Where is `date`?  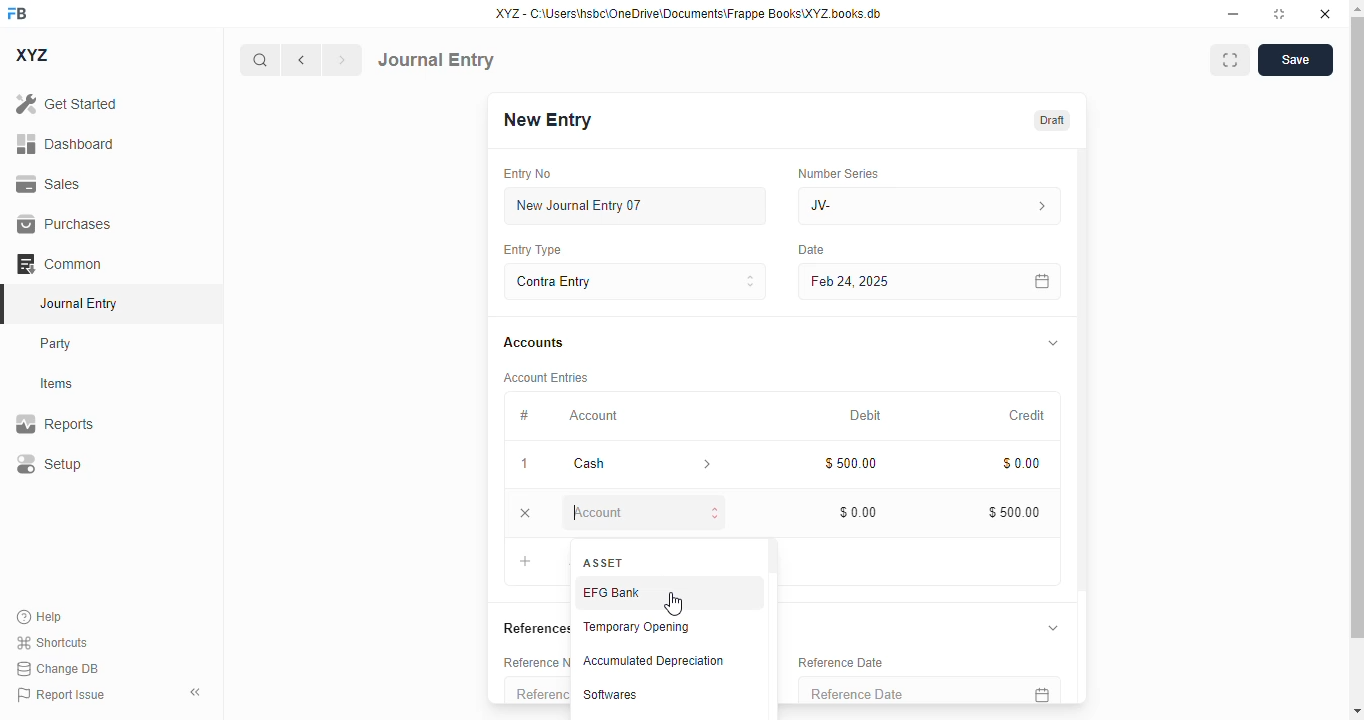 date is located at coordinates (814, 250).